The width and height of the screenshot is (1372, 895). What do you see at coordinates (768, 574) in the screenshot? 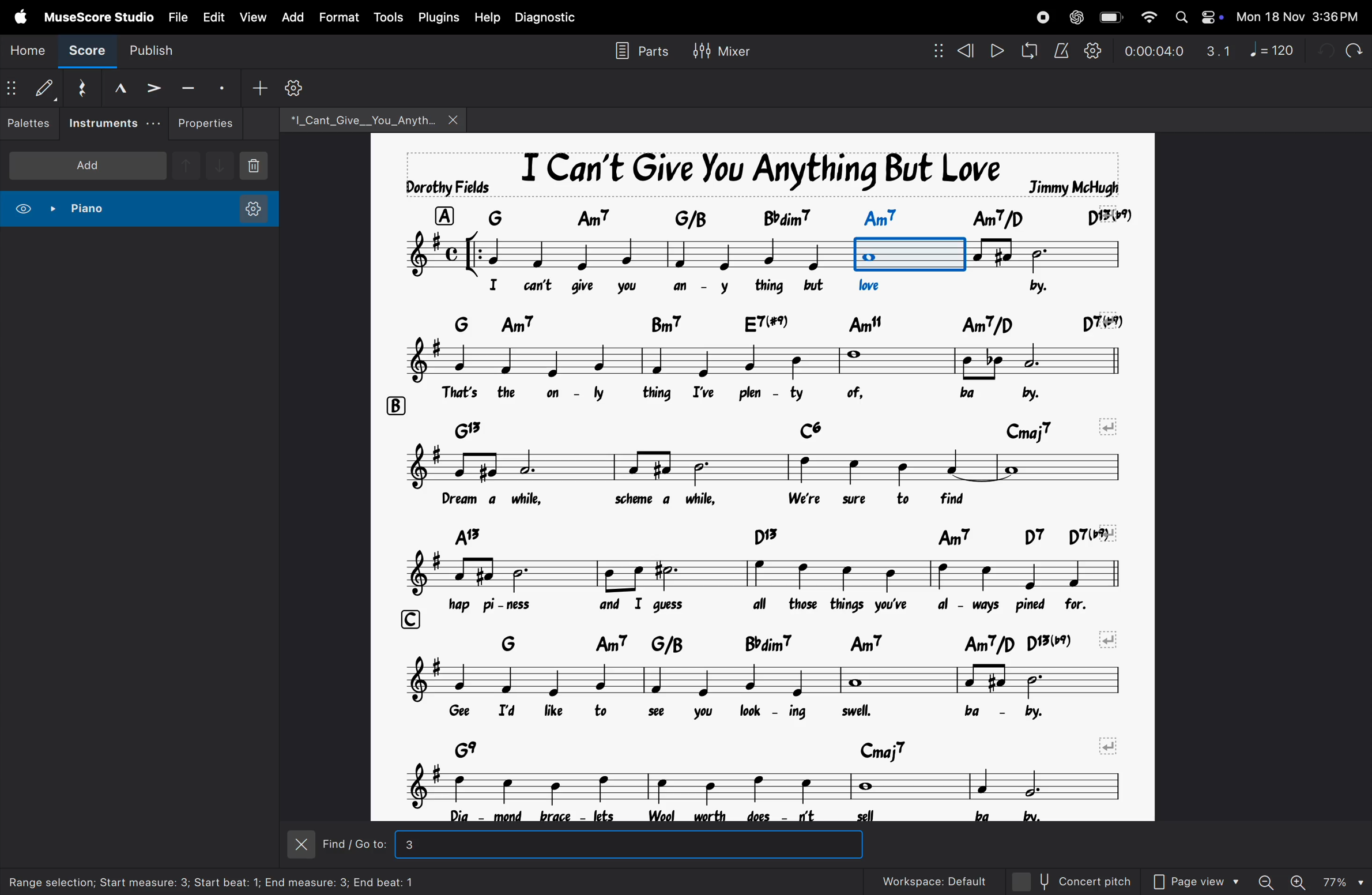
I see `notes` at bounding box center [768, 574].